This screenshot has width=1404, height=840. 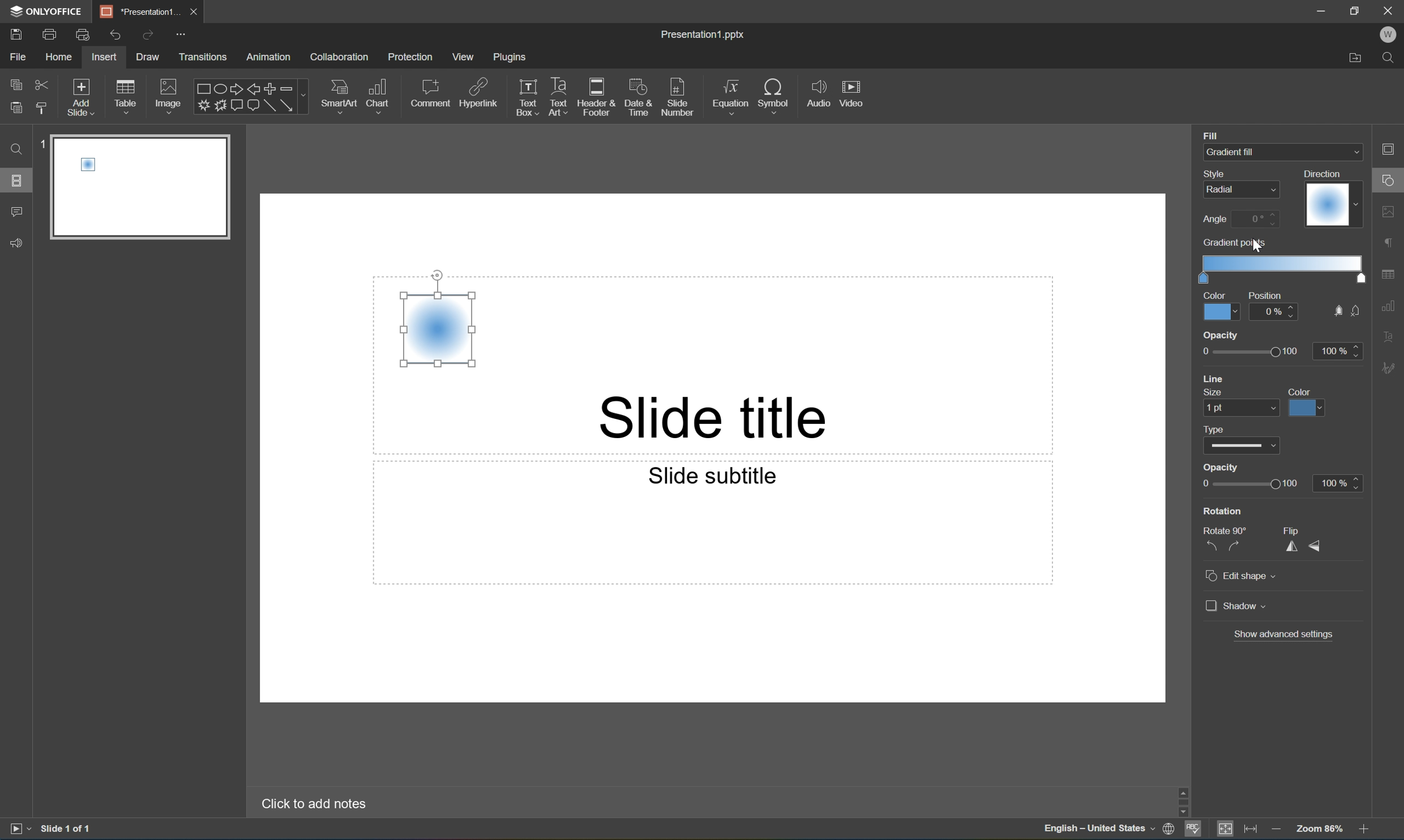 What do you see at coordinates (1242, 578) in the screenshot?
I see `Edit shape` at bounding box center [1242, 578].